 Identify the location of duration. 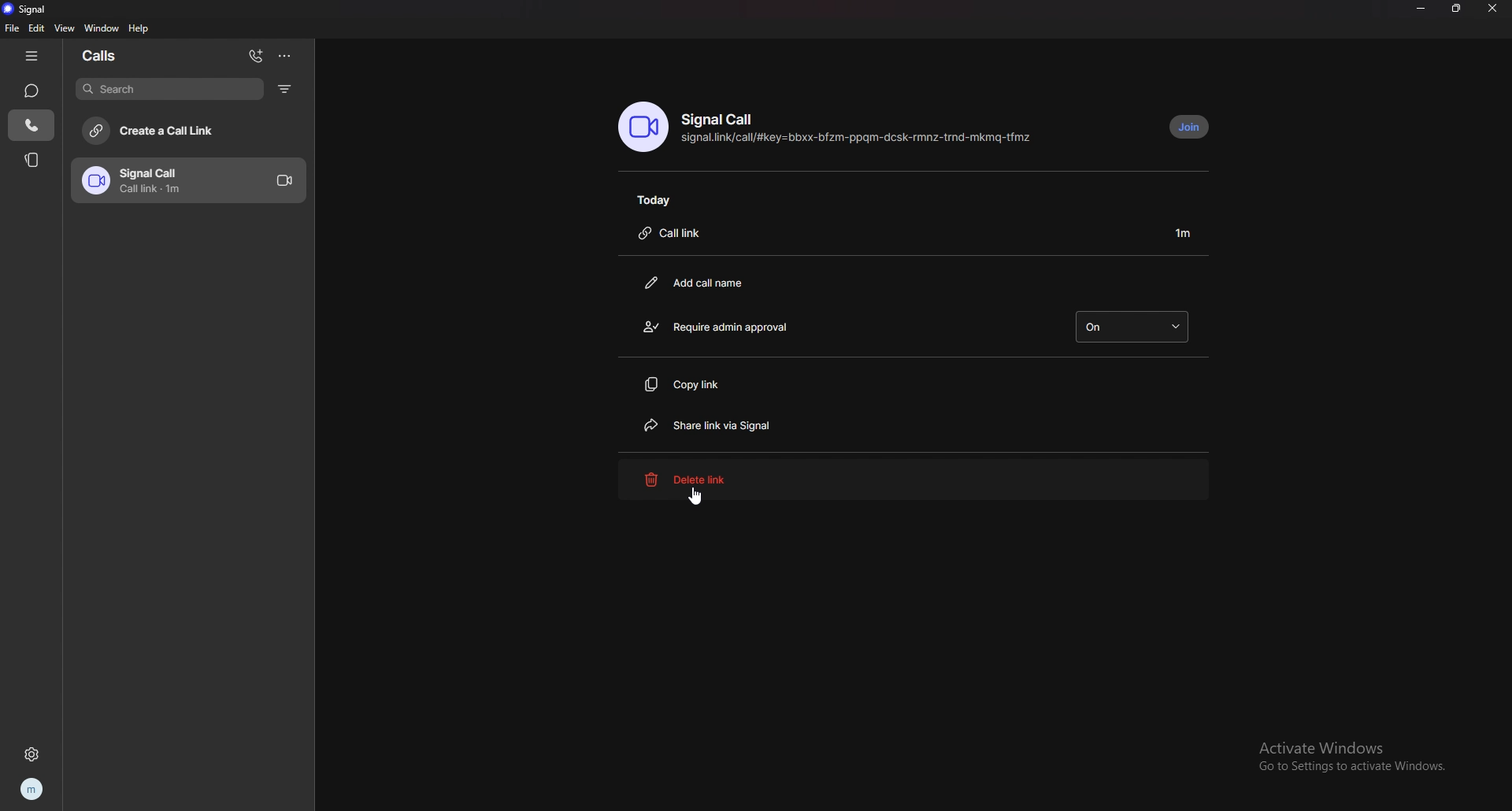
(1186, 231).